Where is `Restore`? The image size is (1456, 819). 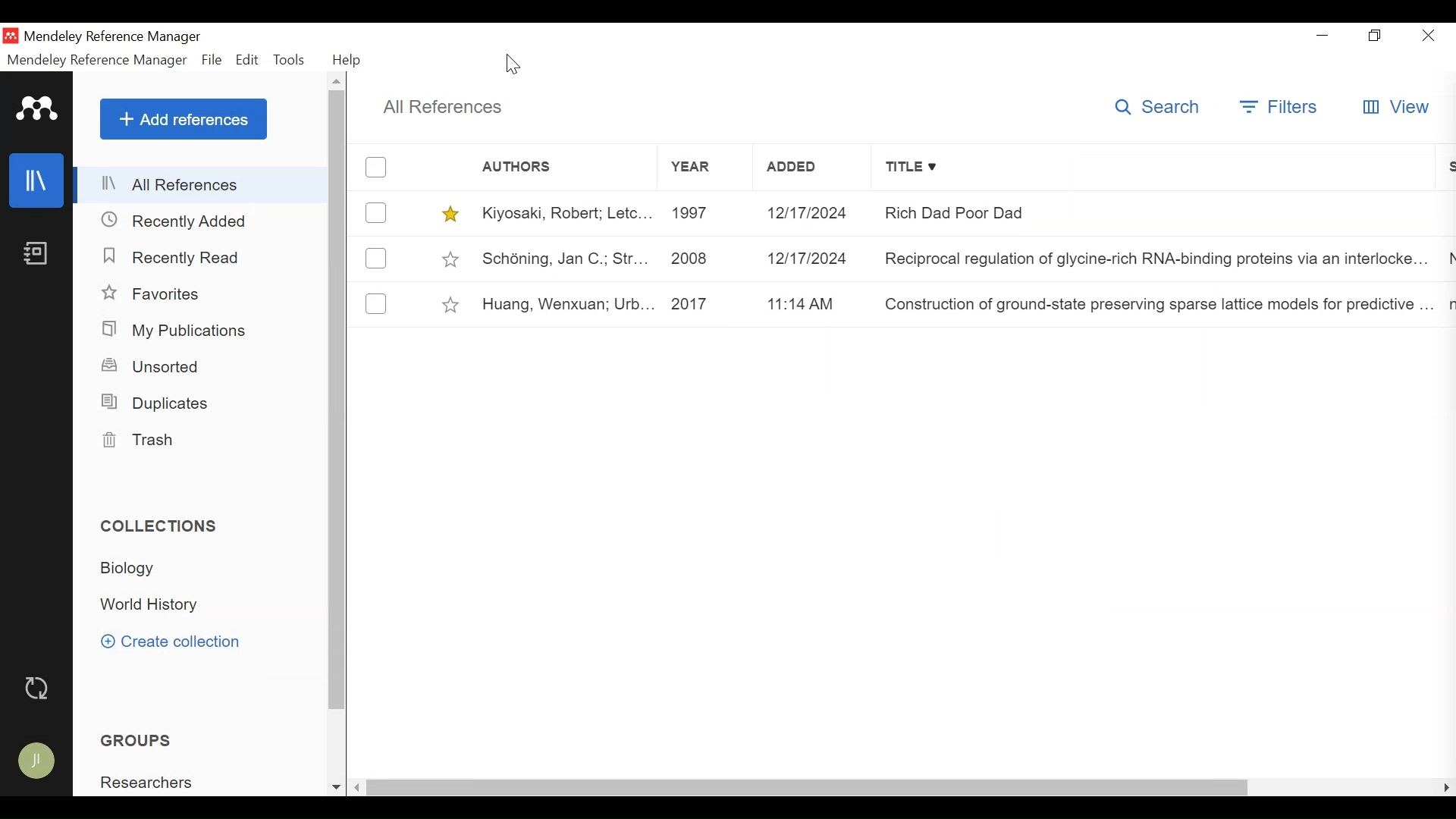 Restore is located at coordinates (1378, 35).